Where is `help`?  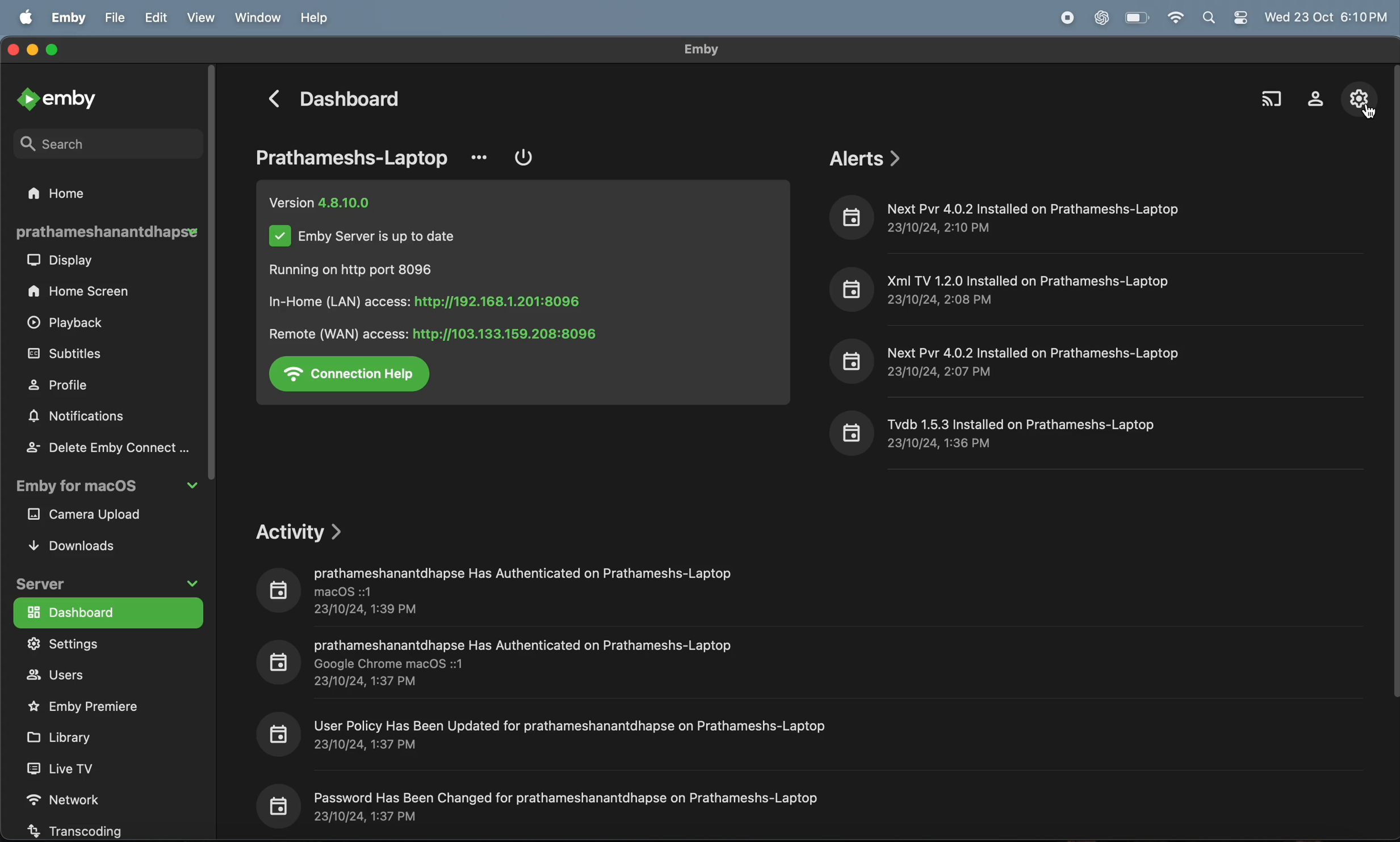
help is located at coordinates (313, 18).